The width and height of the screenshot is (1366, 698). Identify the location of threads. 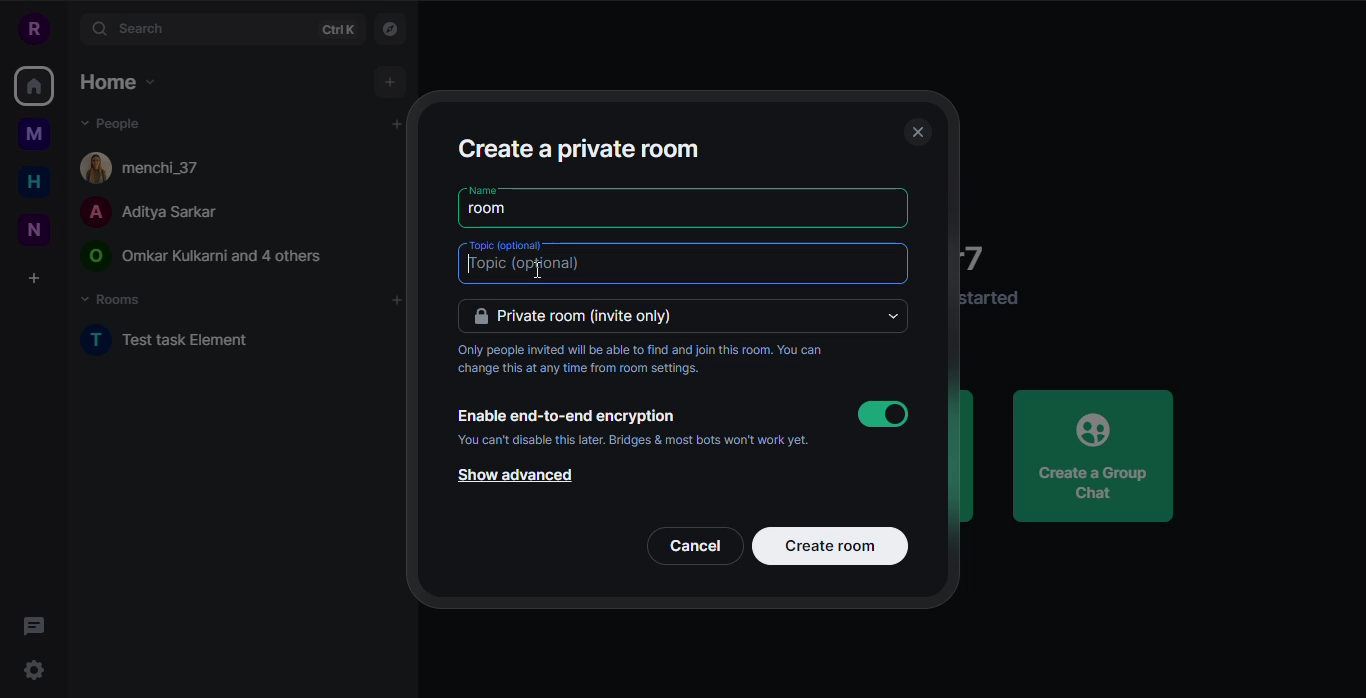
(39, 626).